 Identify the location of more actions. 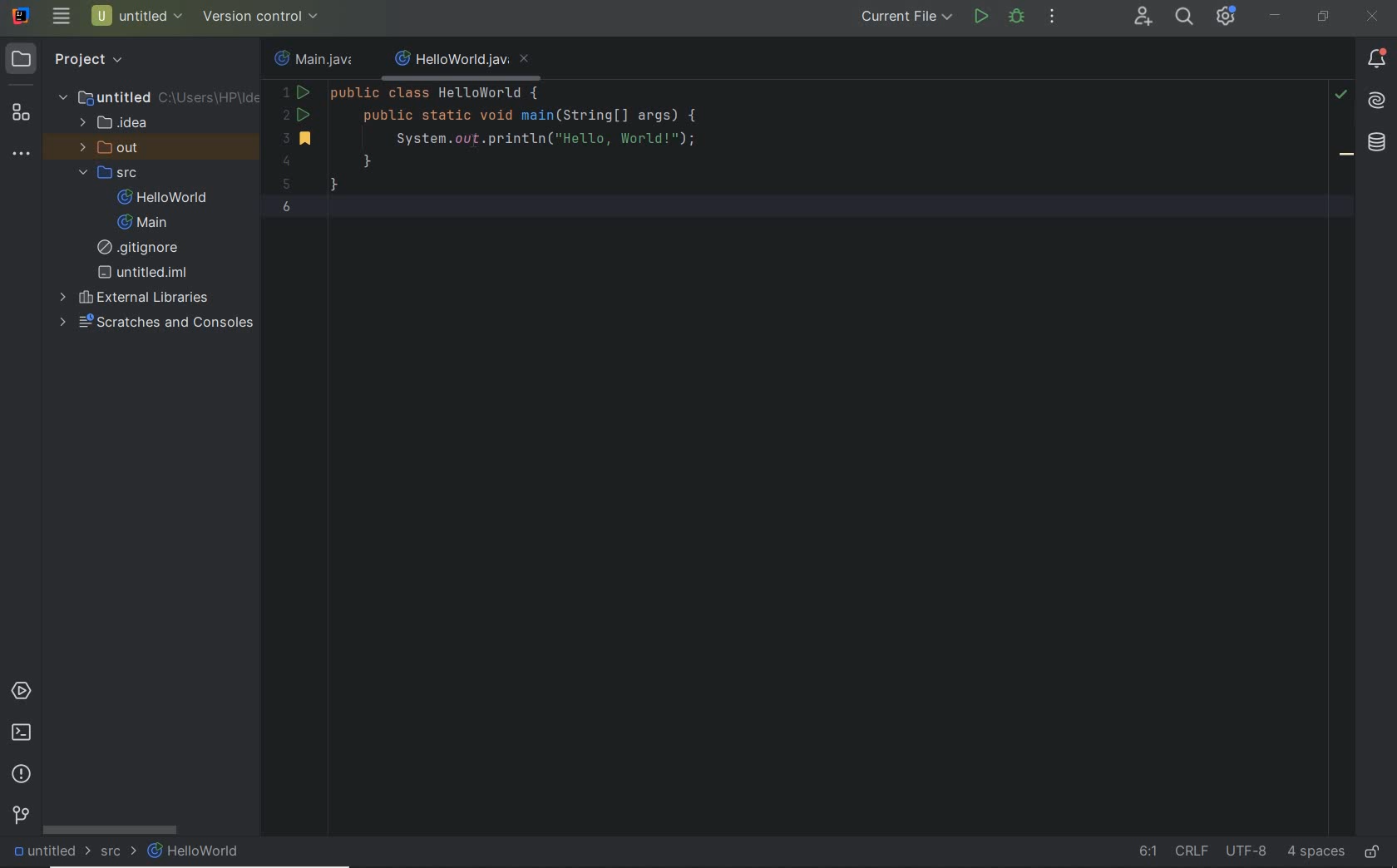
(1053, 17).